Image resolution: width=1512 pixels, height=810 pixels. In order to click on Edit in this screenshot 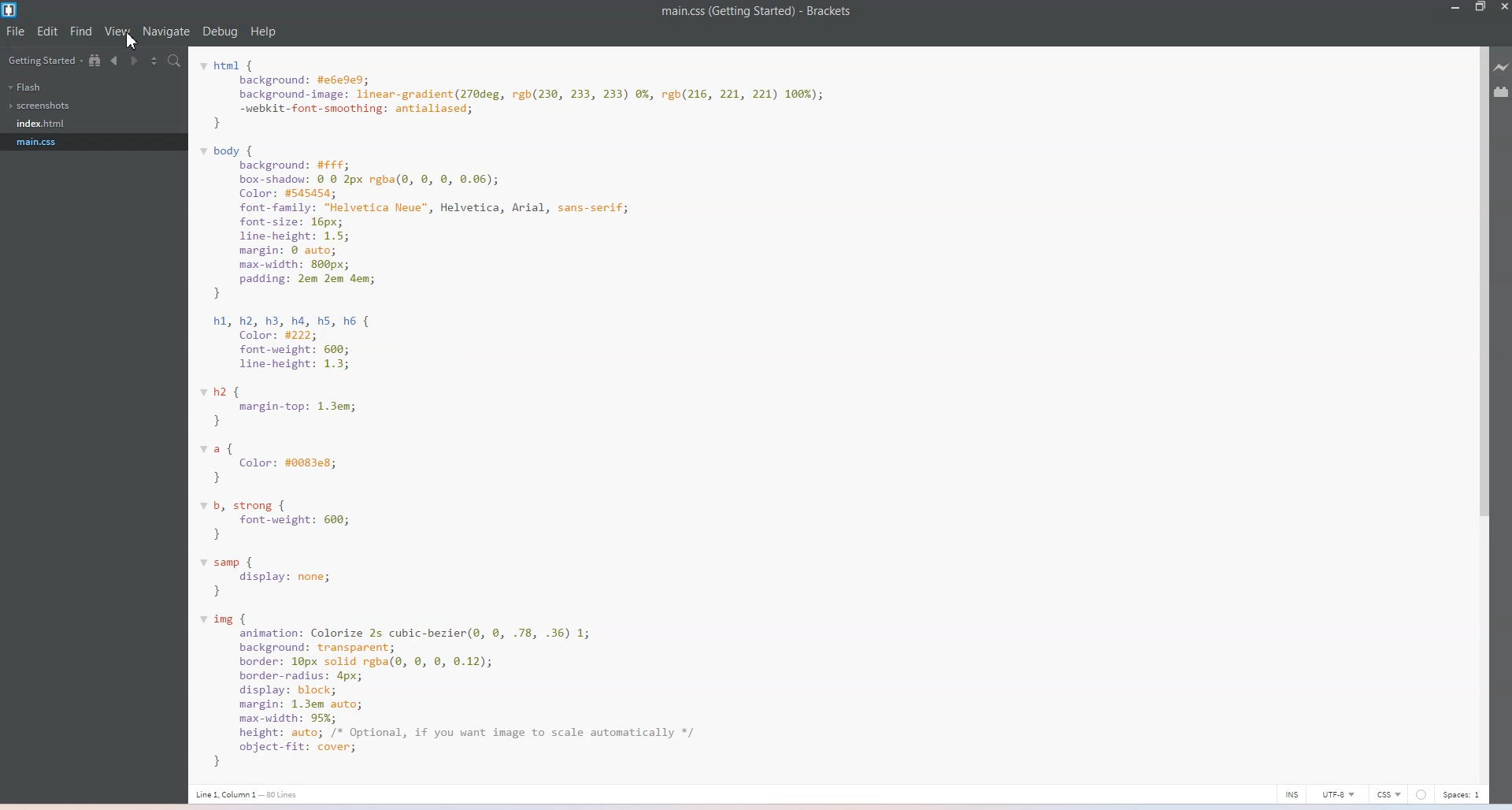, I will do `click(49, 31)`.